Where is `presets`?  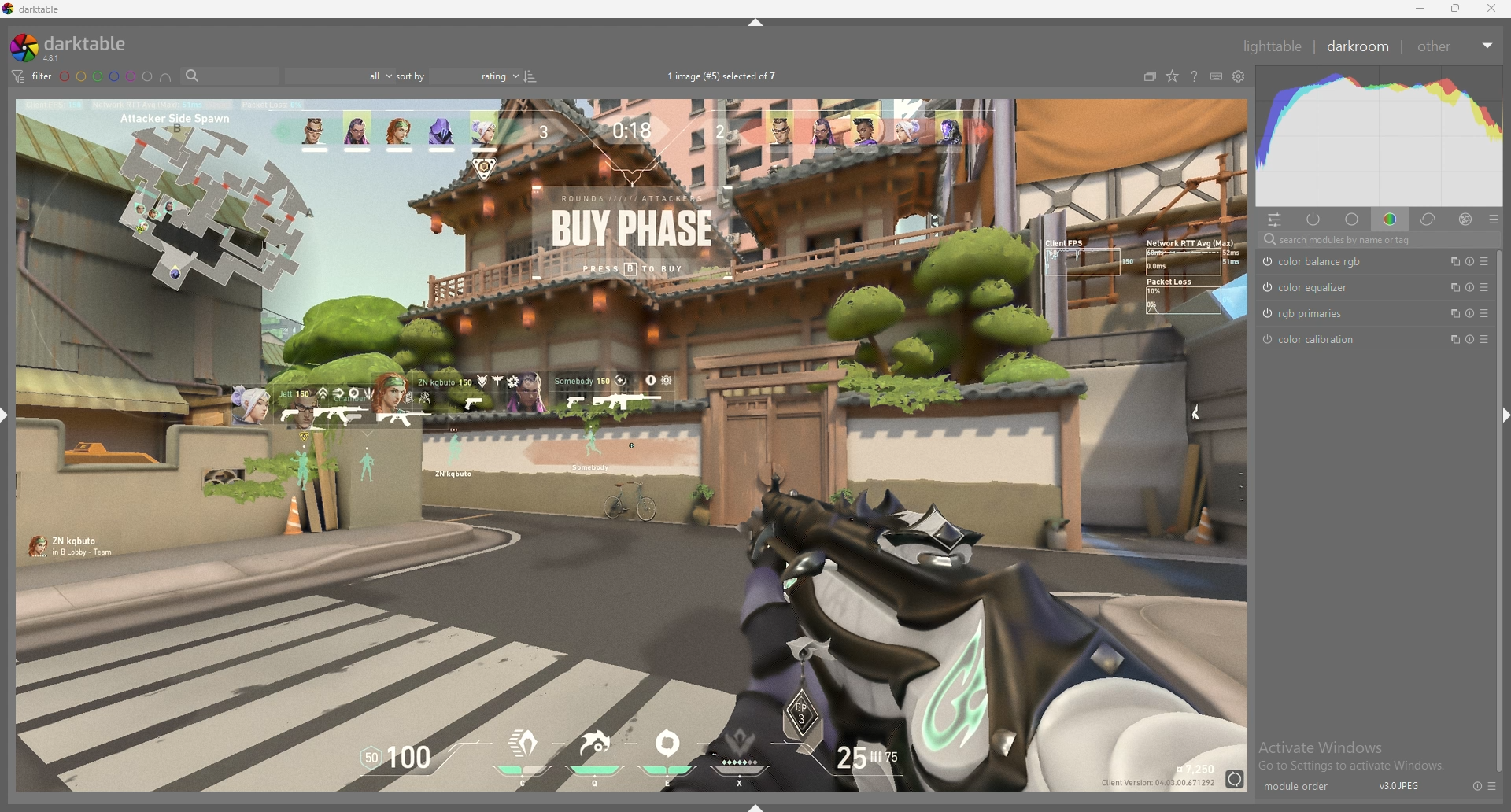 presets is located at coordinates (1494, 220).